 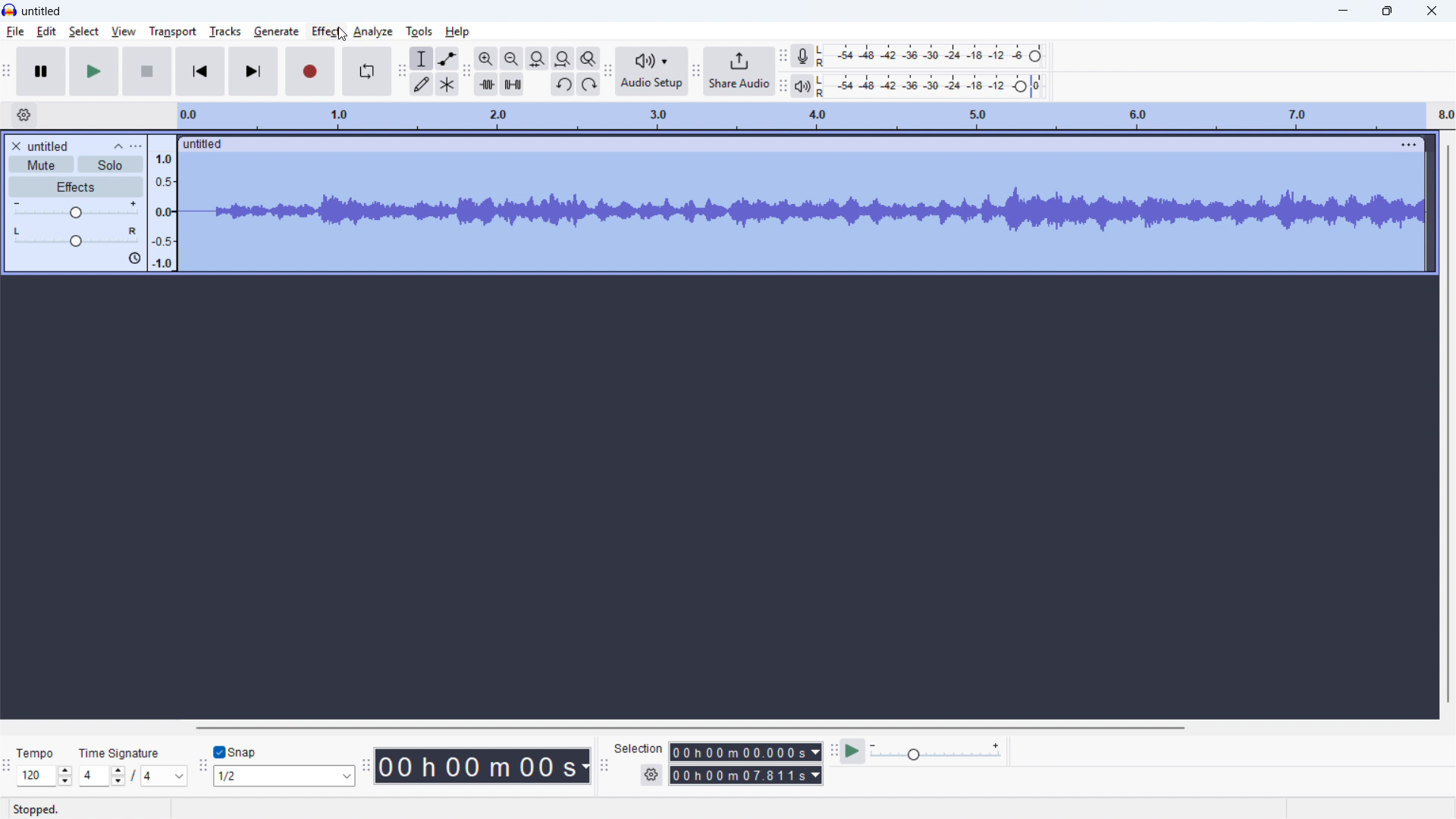 I want to click on Selection start time , so click(x=745, y=752).